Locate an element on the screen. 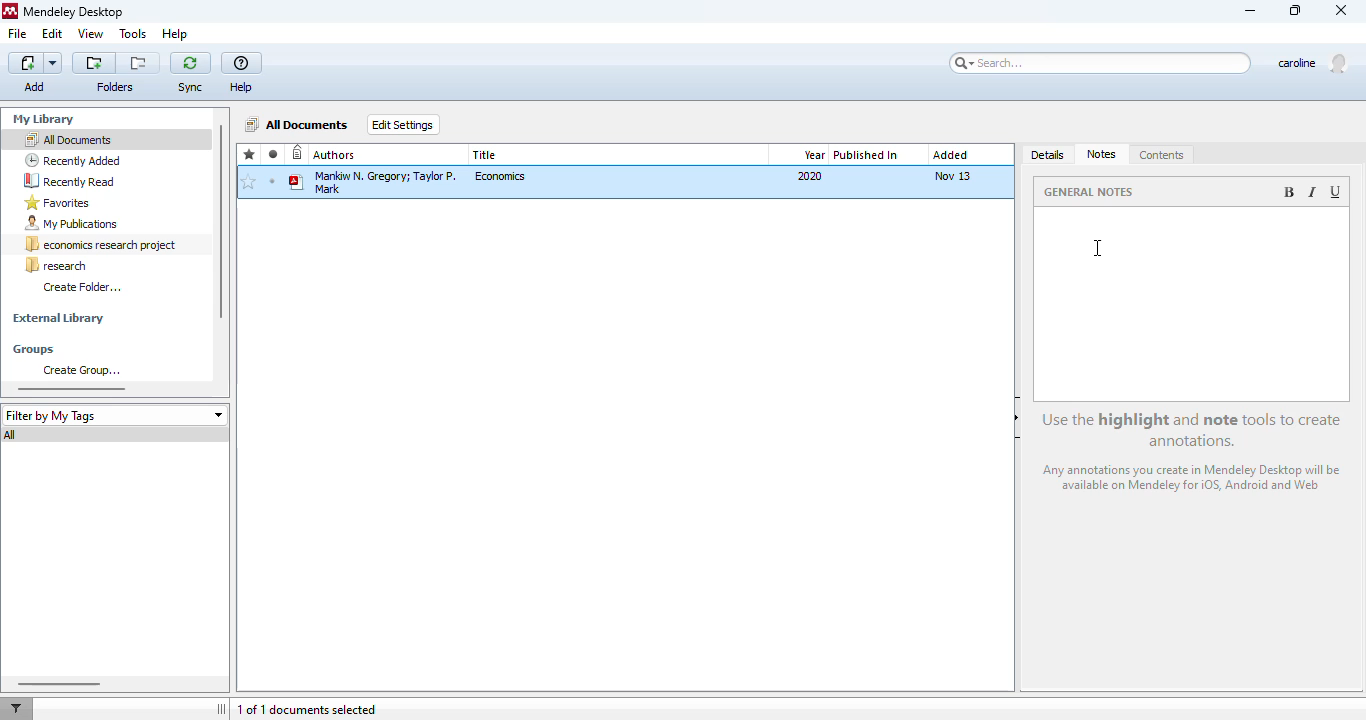  authors is located at coordinates (335, 155).